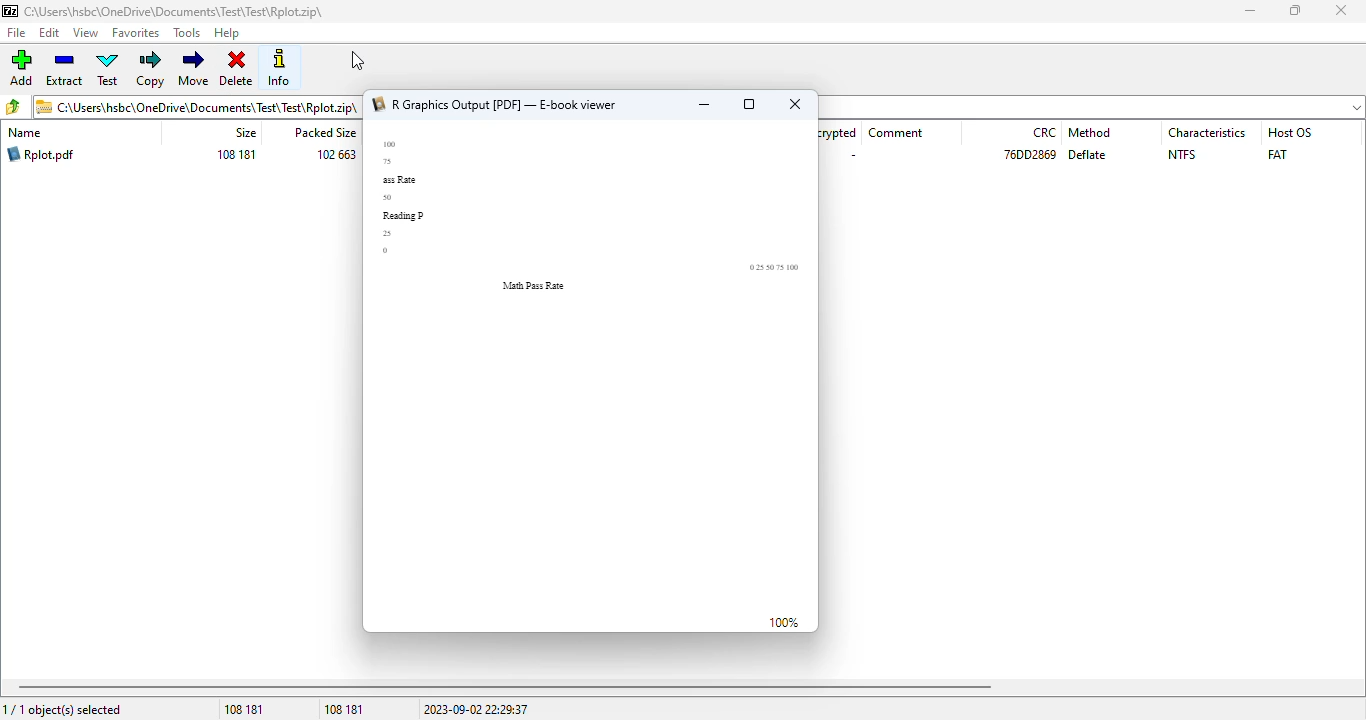 This screenshot has height=720, width=1366. What do you see at coordinates (324, 133) in the screenshot?
I see `Packed Size` at bounding box center [324, 133].